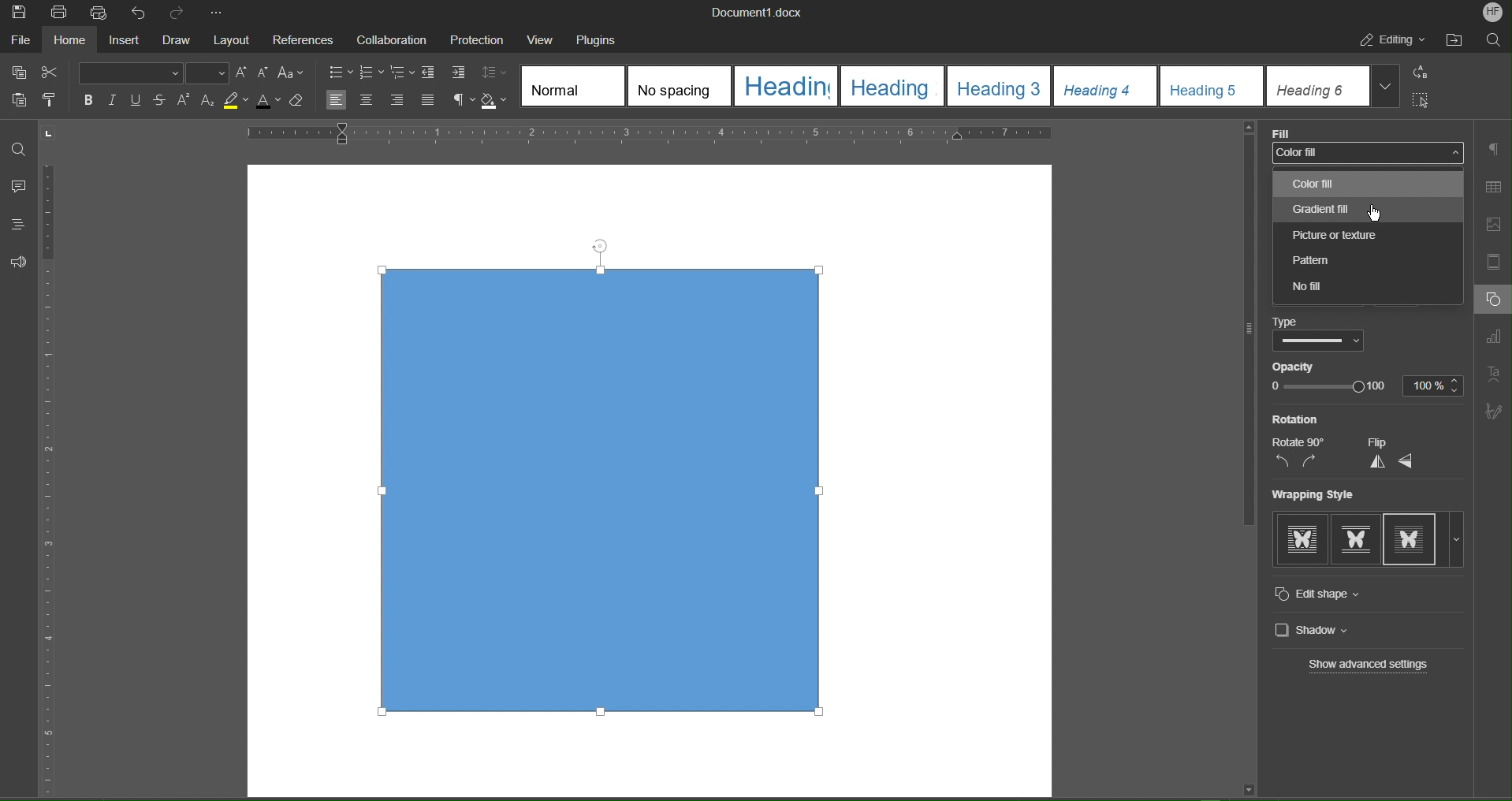  What do you see at coordinates (373, 73) in the screenshot?
I see `Number List` at bounding box center [373, 73].